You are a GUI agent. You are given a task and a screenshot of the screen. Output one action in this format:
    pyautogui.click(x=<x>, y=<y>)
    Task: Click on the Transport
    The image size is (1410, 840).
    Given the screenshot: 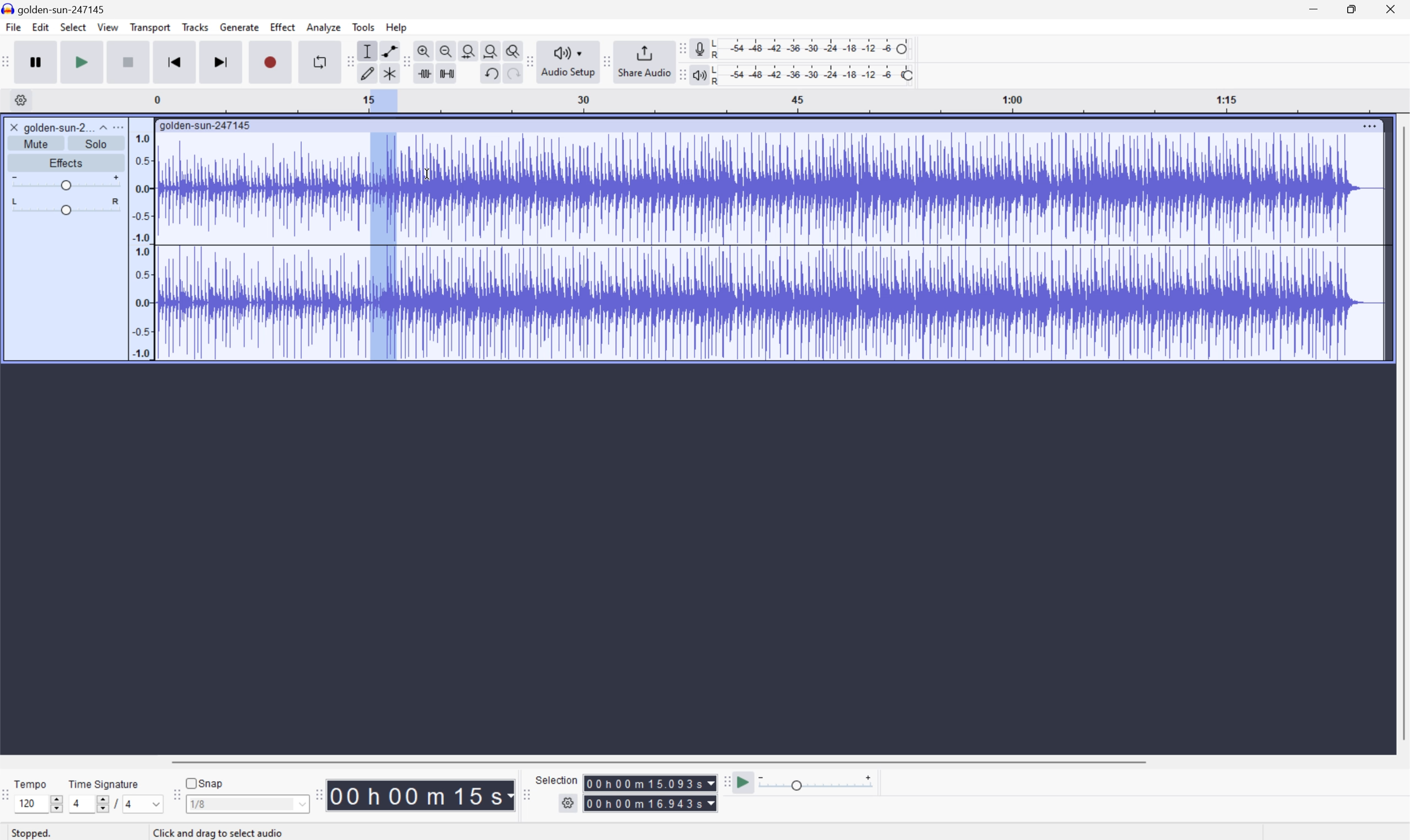 What is the action you would take?
    pyautogui.click(x=151, y=28)
    